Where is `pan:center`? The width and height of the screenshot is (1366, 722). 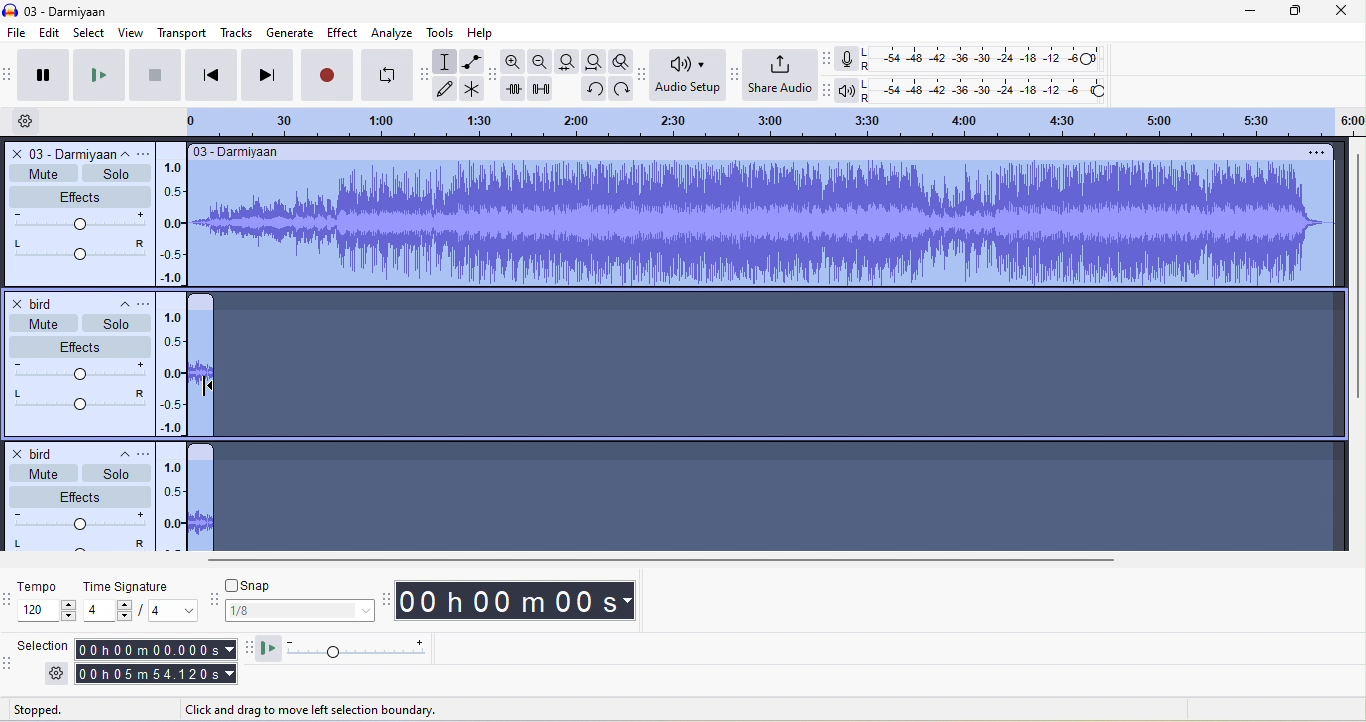 pan:center is located at coordinates (78, 398).